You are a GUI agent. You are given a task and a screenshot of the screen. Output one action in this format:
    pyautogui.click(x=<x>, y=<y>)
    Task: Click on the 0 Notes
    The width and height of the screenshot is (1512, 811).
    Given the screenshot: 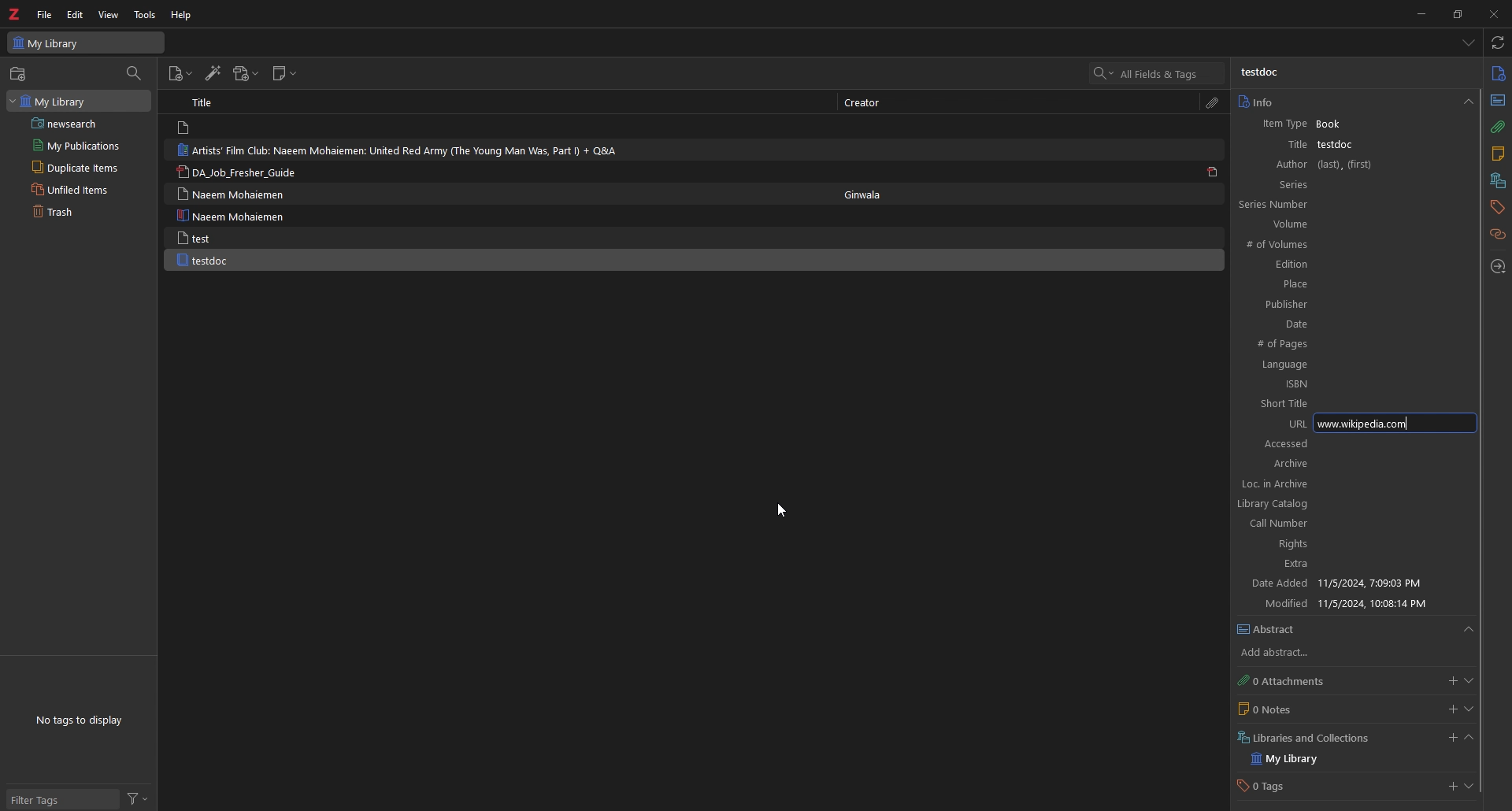 What is the action you would take?
    pyautogui.click(x=1279, y=709)
    